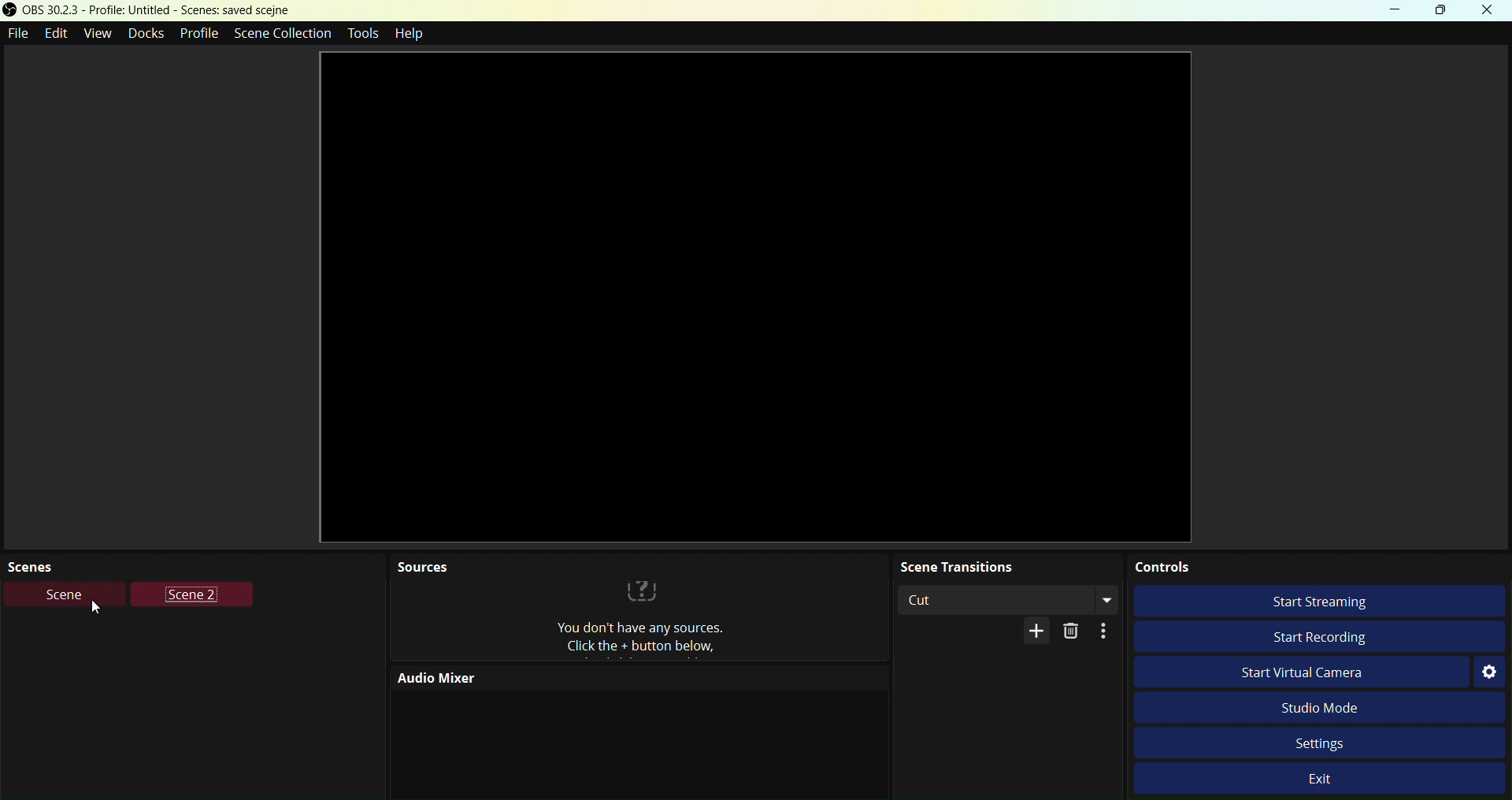  What do you see at coordinates (1489, 672) in the screenshot?
I see `Settings` at bounding box center [1489, 672].